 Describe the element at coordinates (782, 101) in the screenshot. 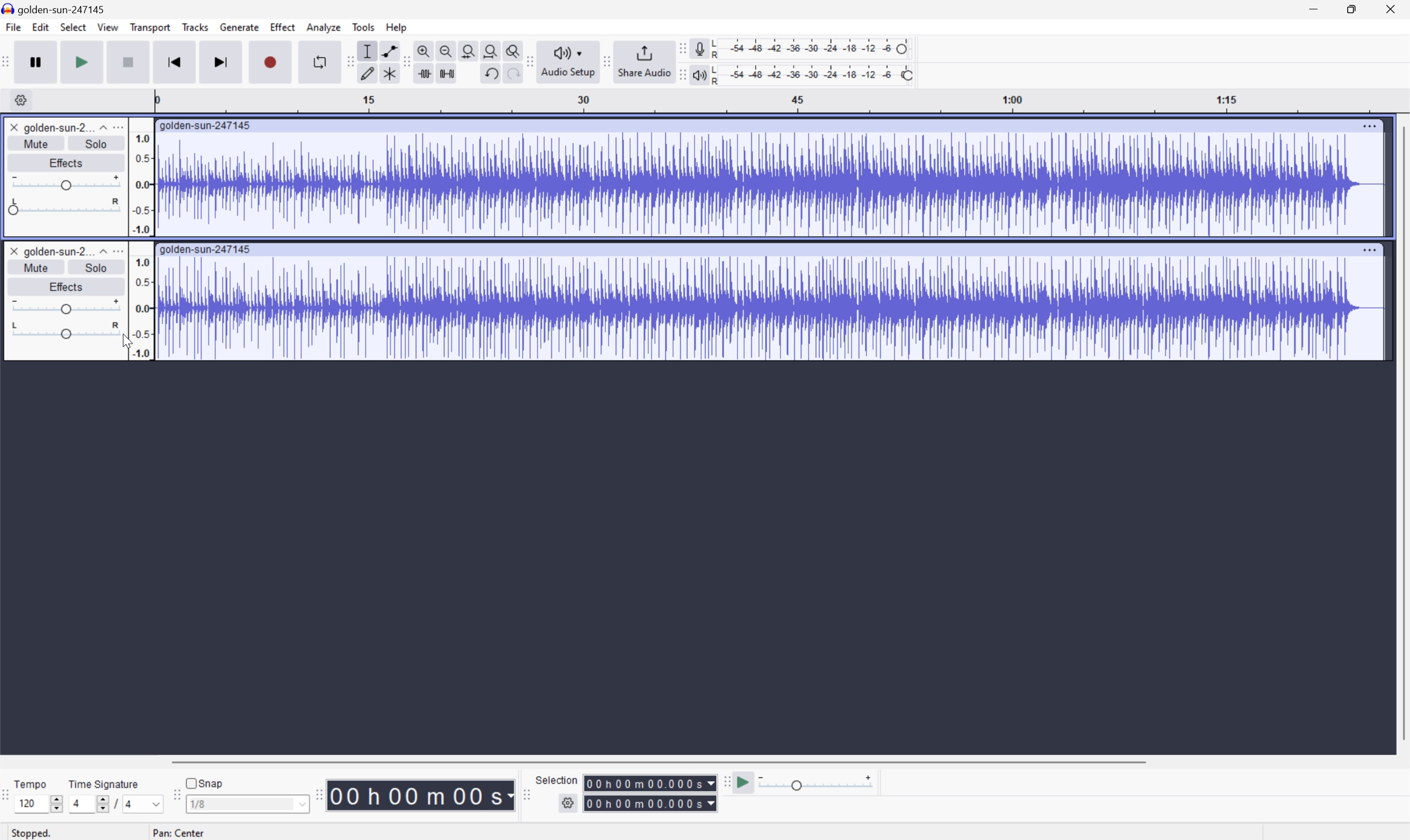

I see `Scale` at that location.